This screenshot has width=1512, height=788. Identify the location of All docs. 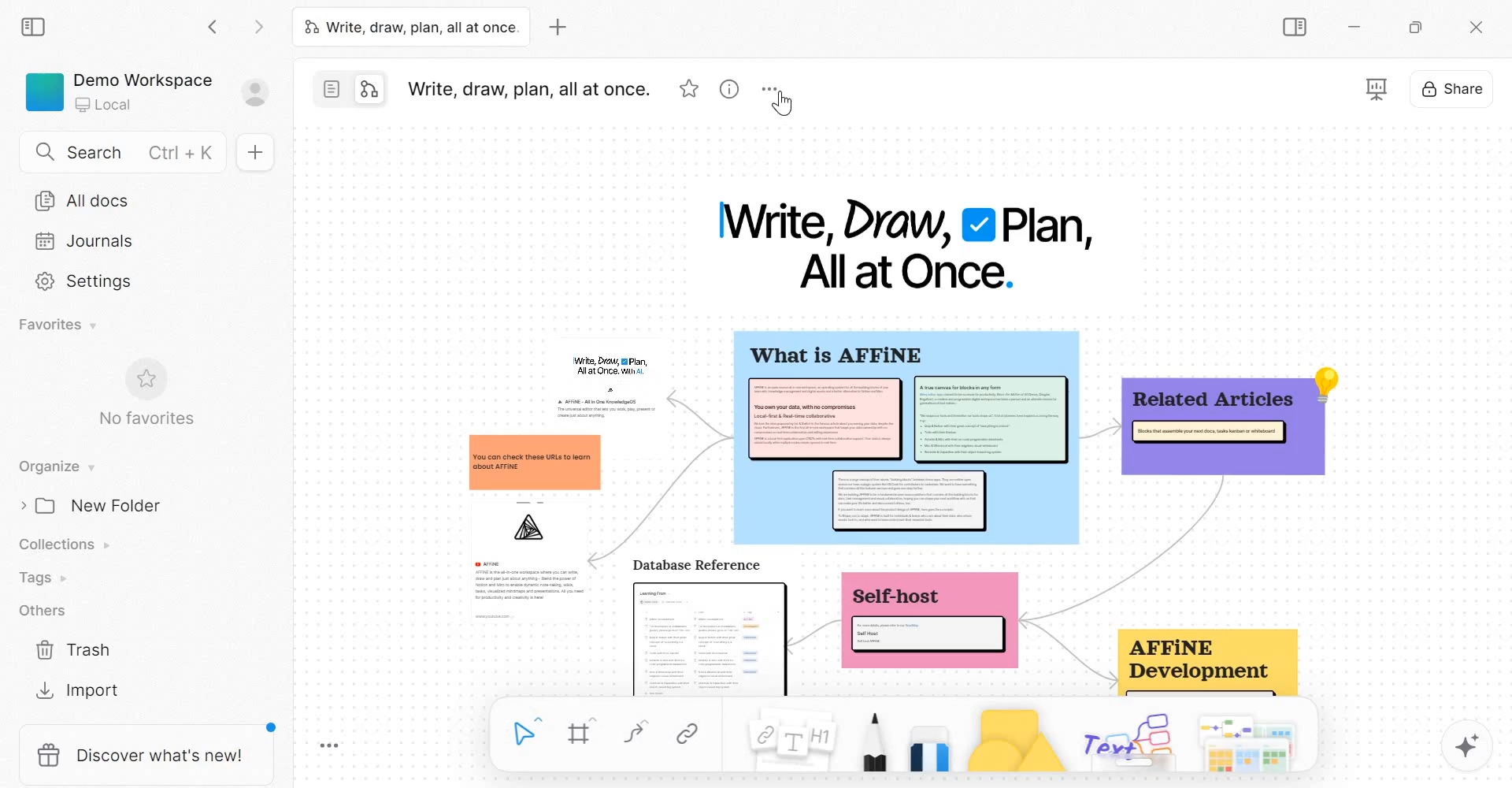
(138, 200).